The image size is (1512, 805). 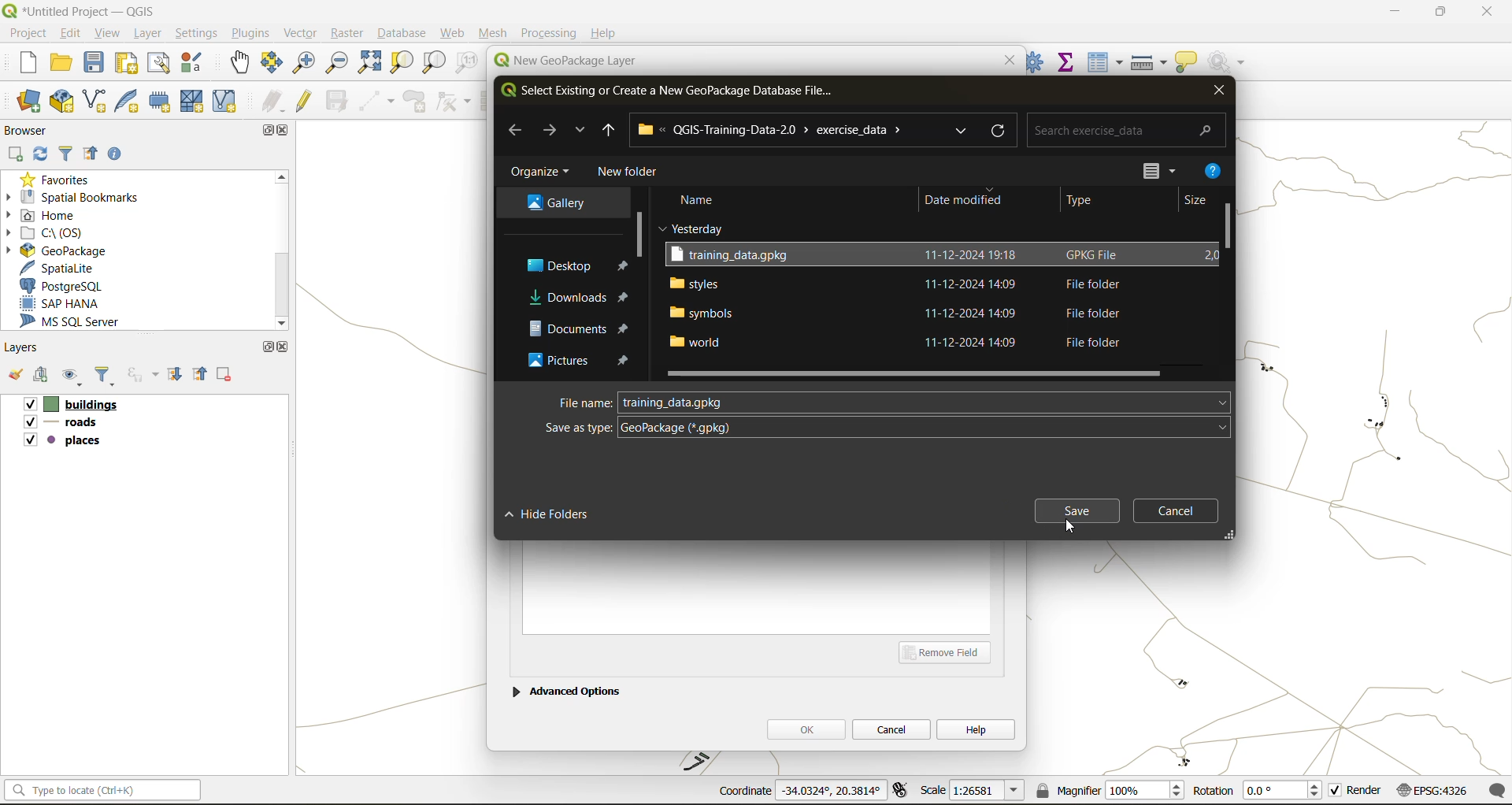 I want to click on digitize, so click(x=378, y=102).